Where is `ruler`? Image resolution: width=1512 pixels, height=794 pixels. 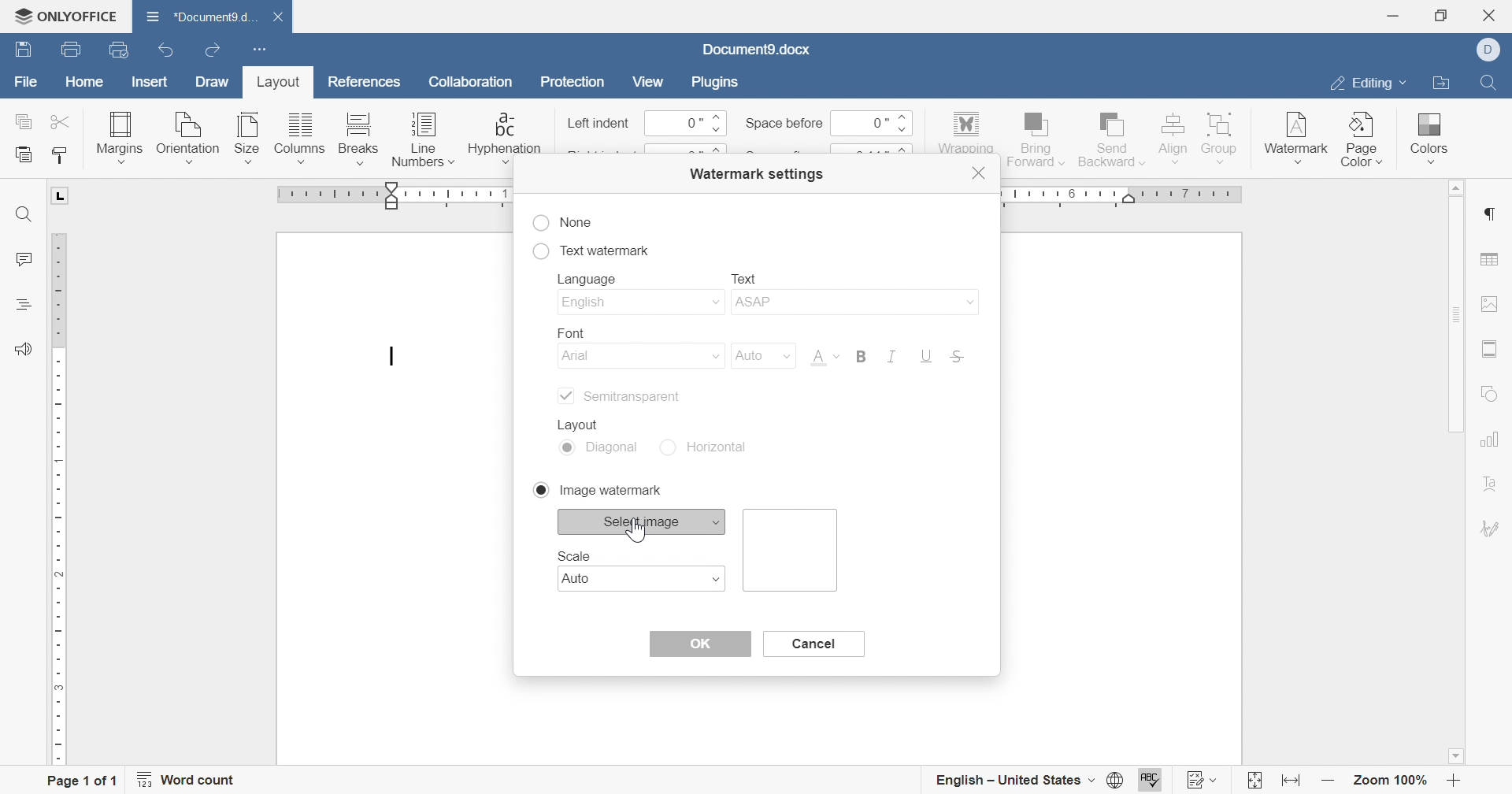 ruler is located at coordinates (59, 499).